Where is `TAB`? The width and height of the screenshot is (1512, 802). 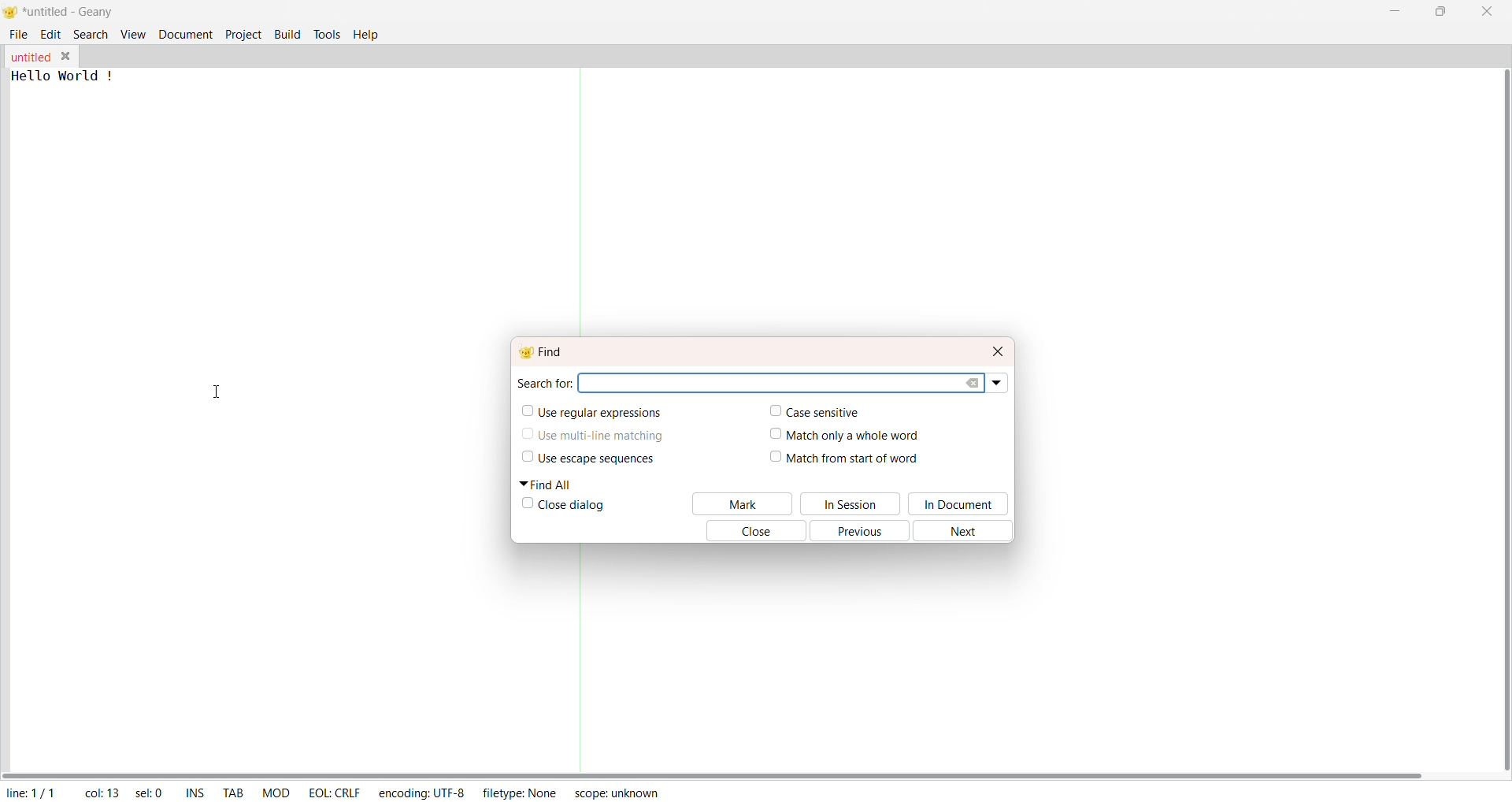 TAB is located at coordinates (231, 789).